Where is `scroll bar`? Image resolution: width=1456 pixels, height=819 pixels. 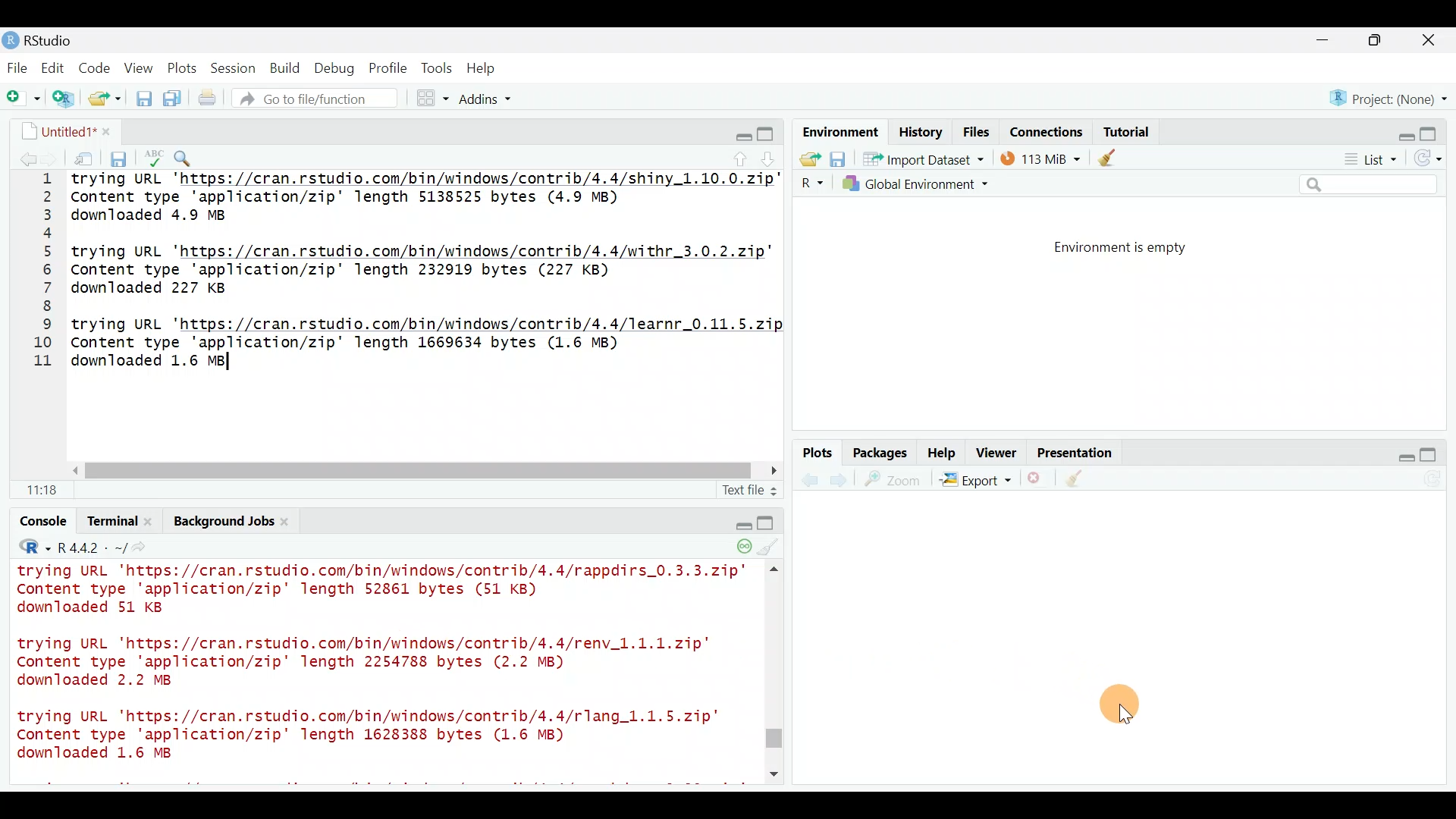
scroll bar is located at coordinates (777, 479).